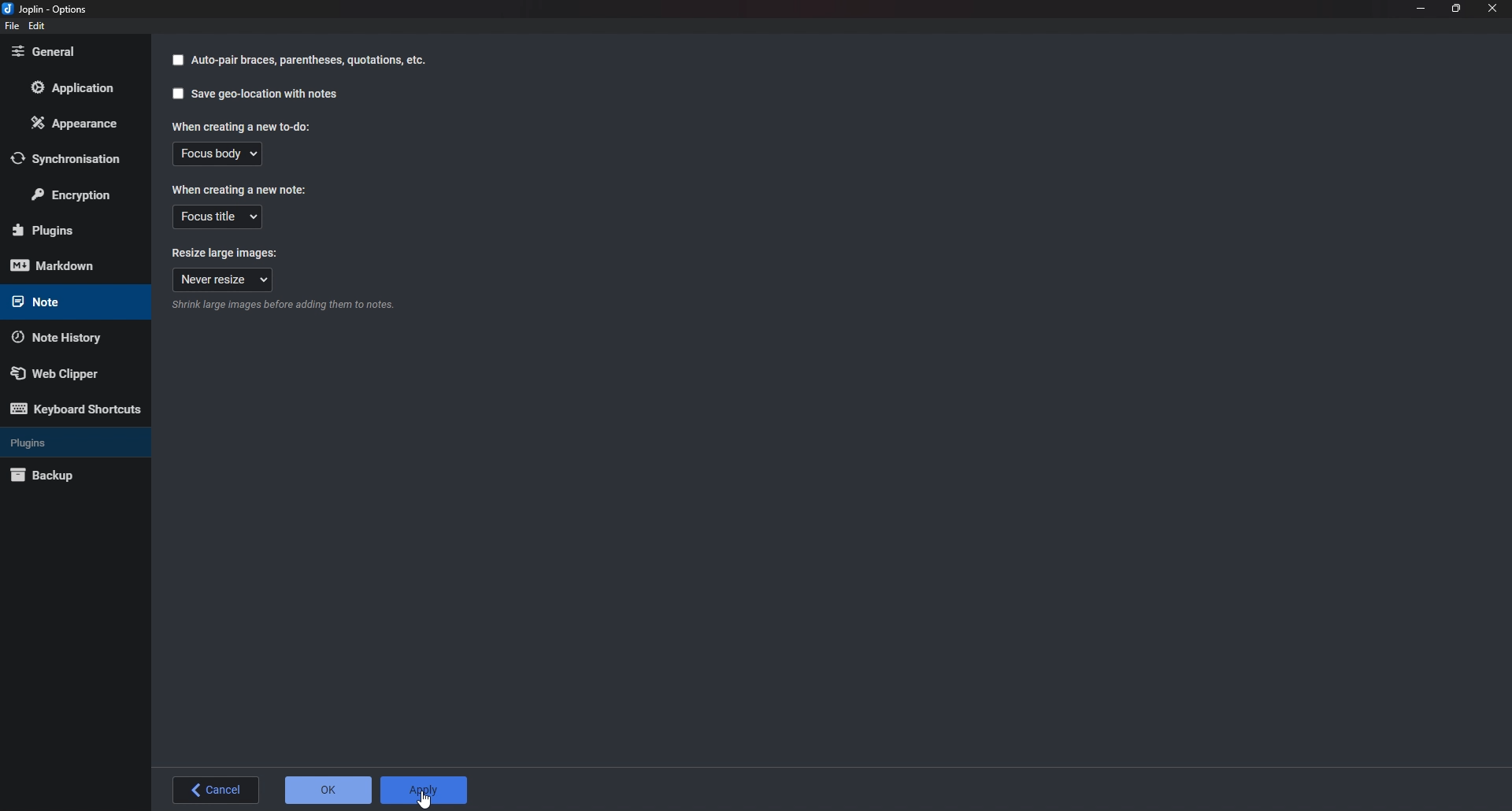 This screenshot has height=811, width=1512. Describe the element at coordinates (326, 790) in the screenshot. I see `O K` at that location.